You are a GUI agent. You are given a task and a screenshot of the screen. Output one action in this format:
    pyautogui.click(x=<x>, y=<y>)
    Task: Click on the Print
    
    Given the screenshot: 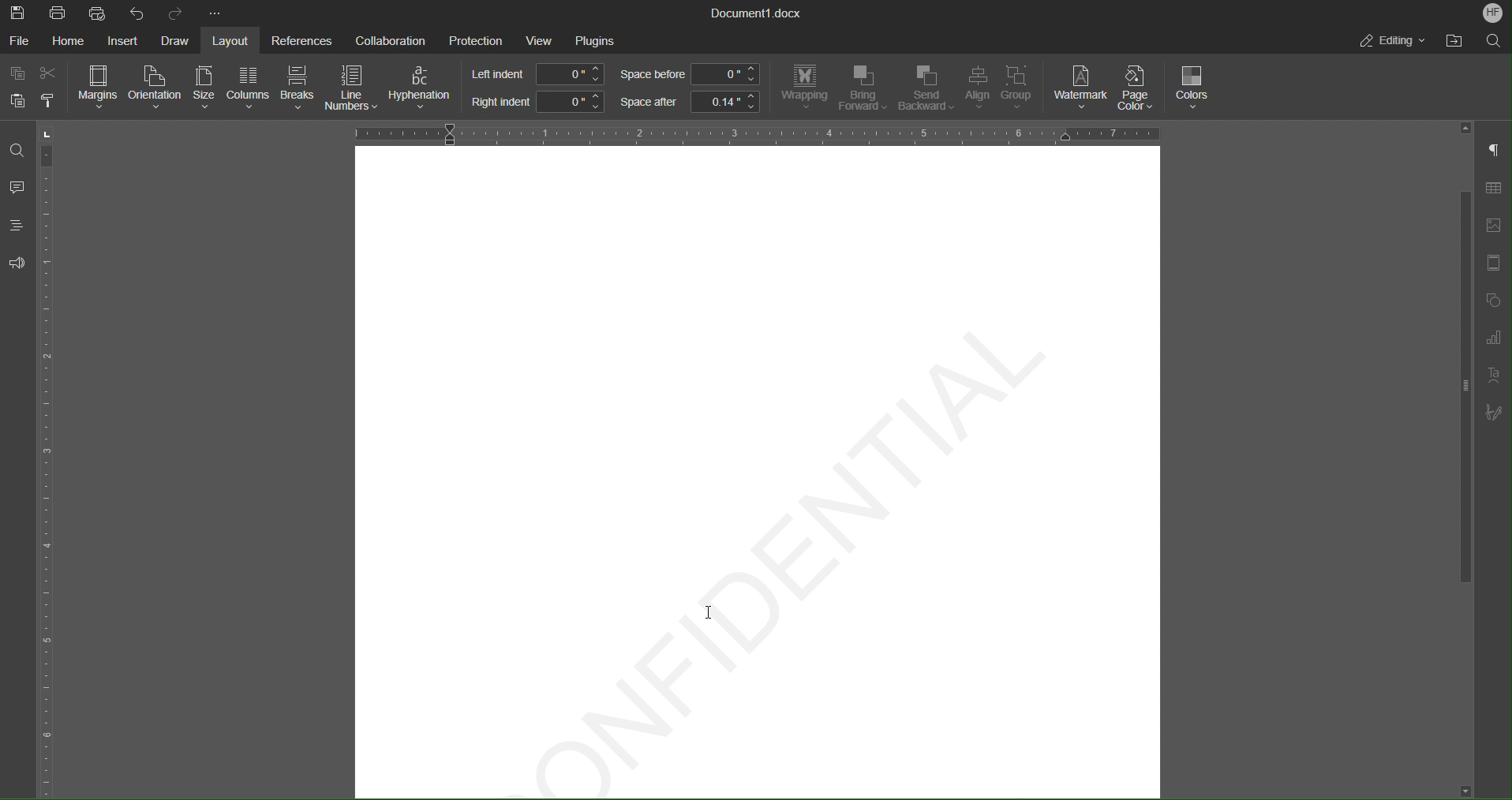 What is the action you would take?
    pyautogui.click(x=59, y=13)
    